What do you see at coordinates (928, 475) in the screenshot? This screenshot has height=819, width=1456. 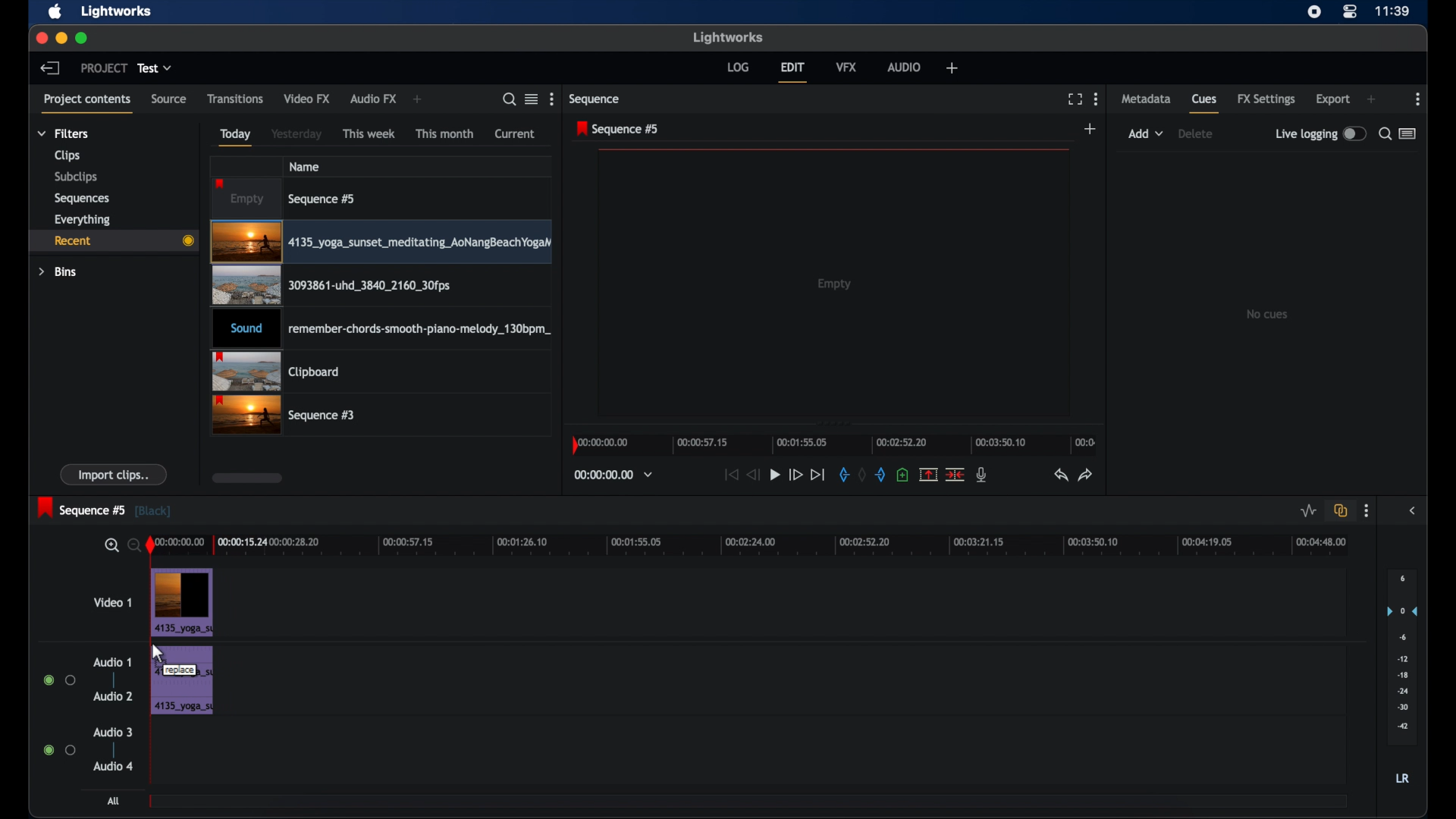 I see `remove  marked section` at bounding box center [928, 475].